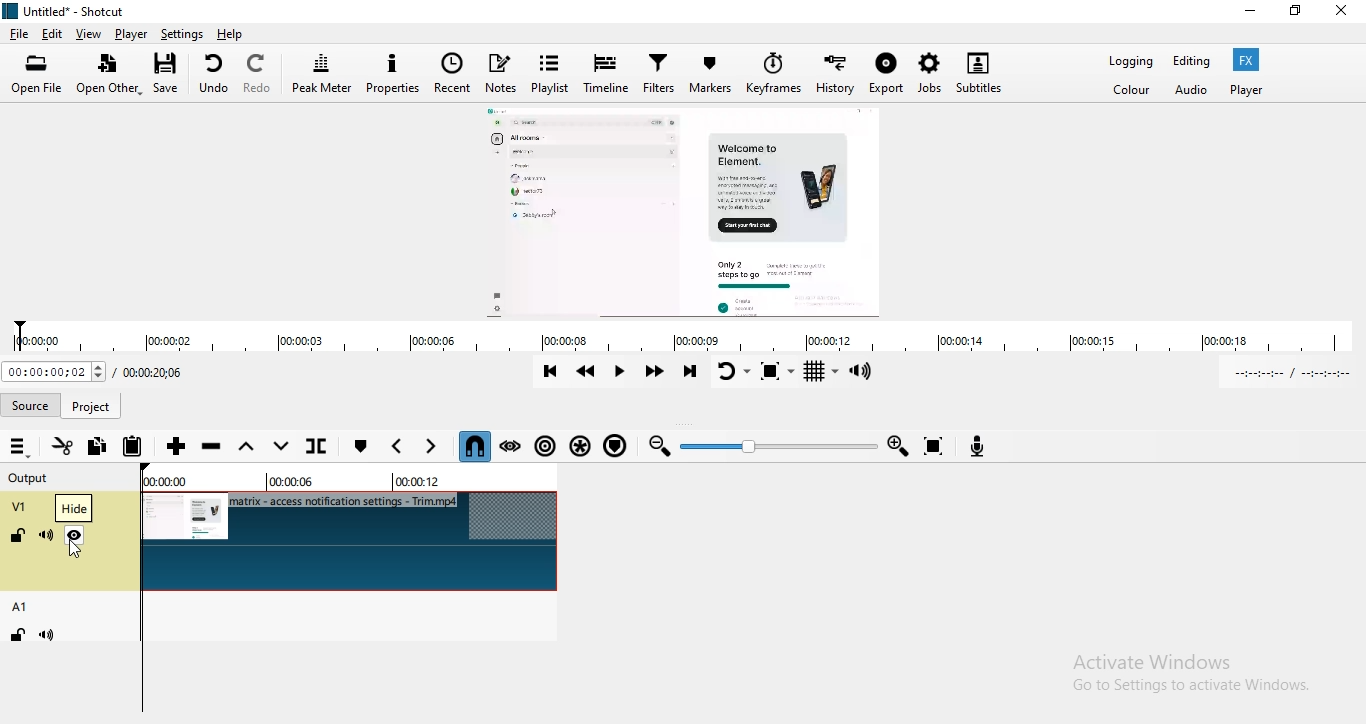  Describe the element at coordinates (38, 75) in the screenshot. I see `Open file ` at that location.